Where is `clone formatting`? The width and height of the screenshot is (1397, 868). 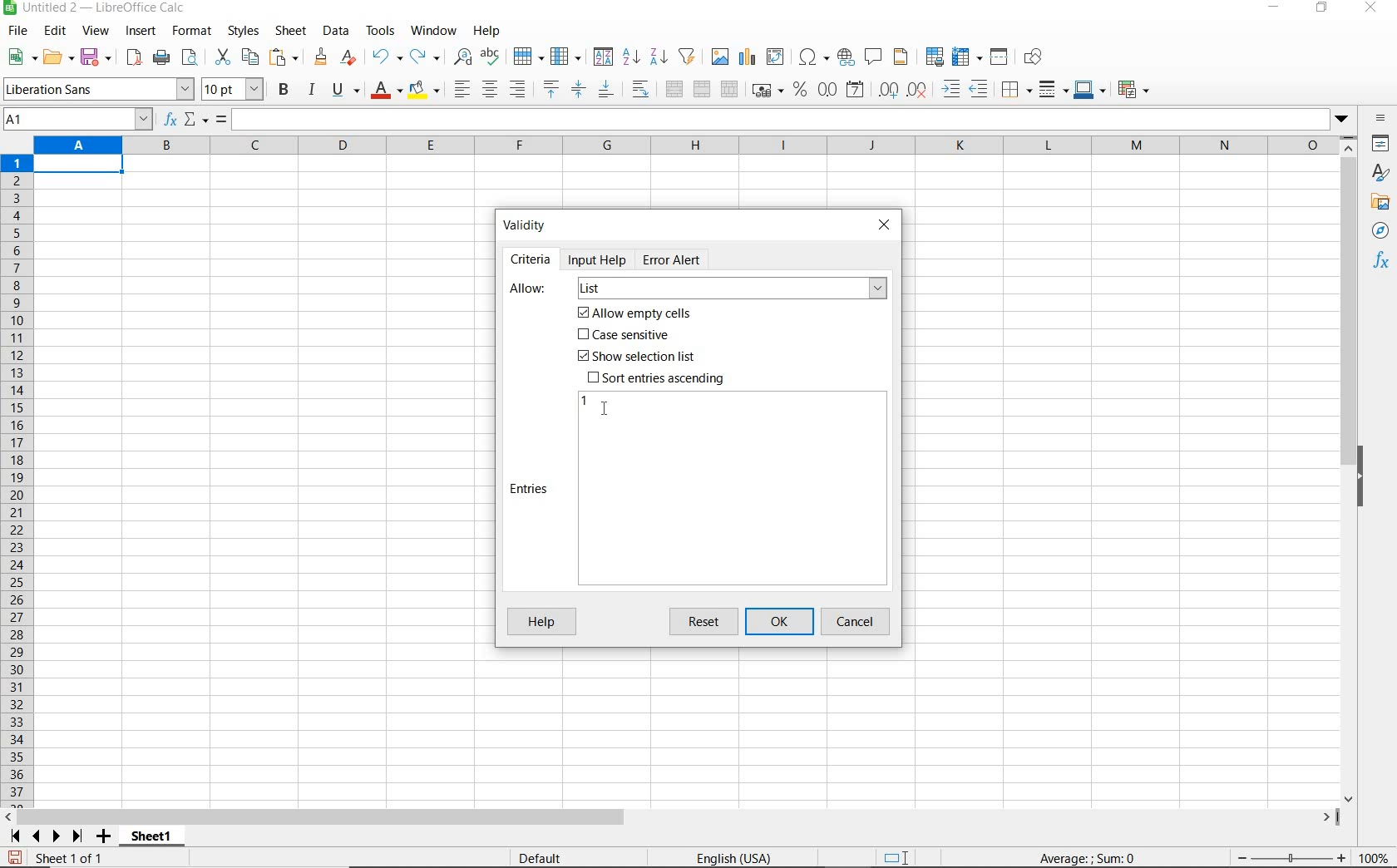 clone formatting is located at coordinates (322, 57).